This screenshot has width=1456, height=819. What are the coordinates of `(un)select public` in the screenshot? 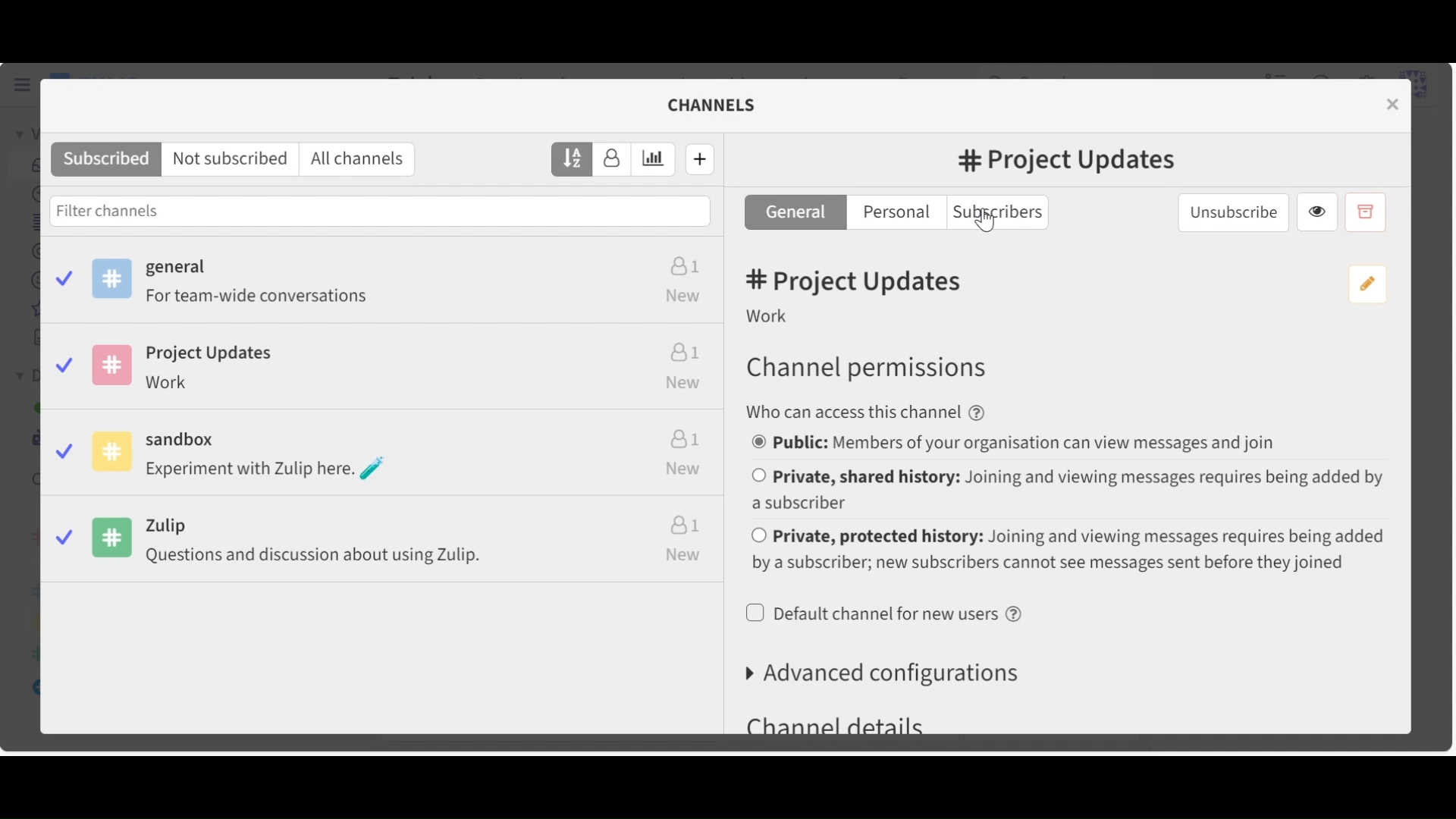 It's located at (1016, 443).